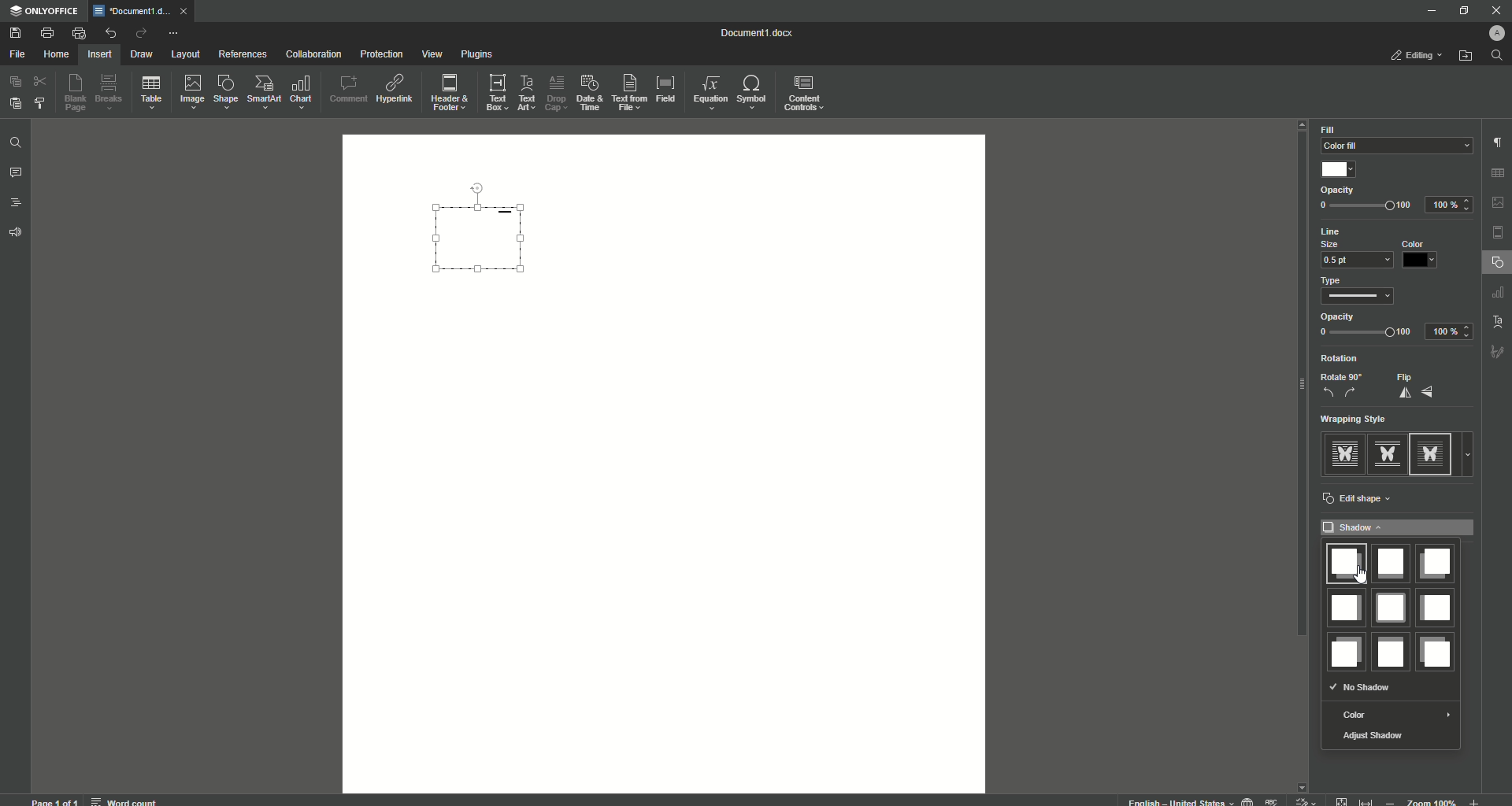 Image resolution: width=1512 pixels, height=806 pixels. Describe the element at coordinates (1306, 800) in the screenshot. I see `track changes` at that location.